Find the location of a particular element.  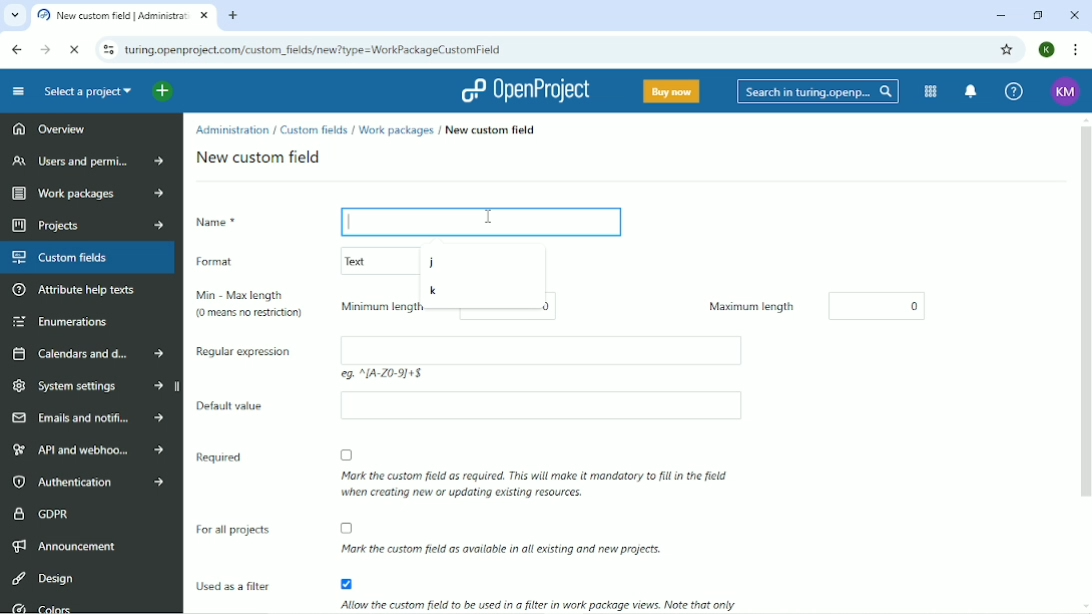

Empty box is located at coordinates (554, 346).